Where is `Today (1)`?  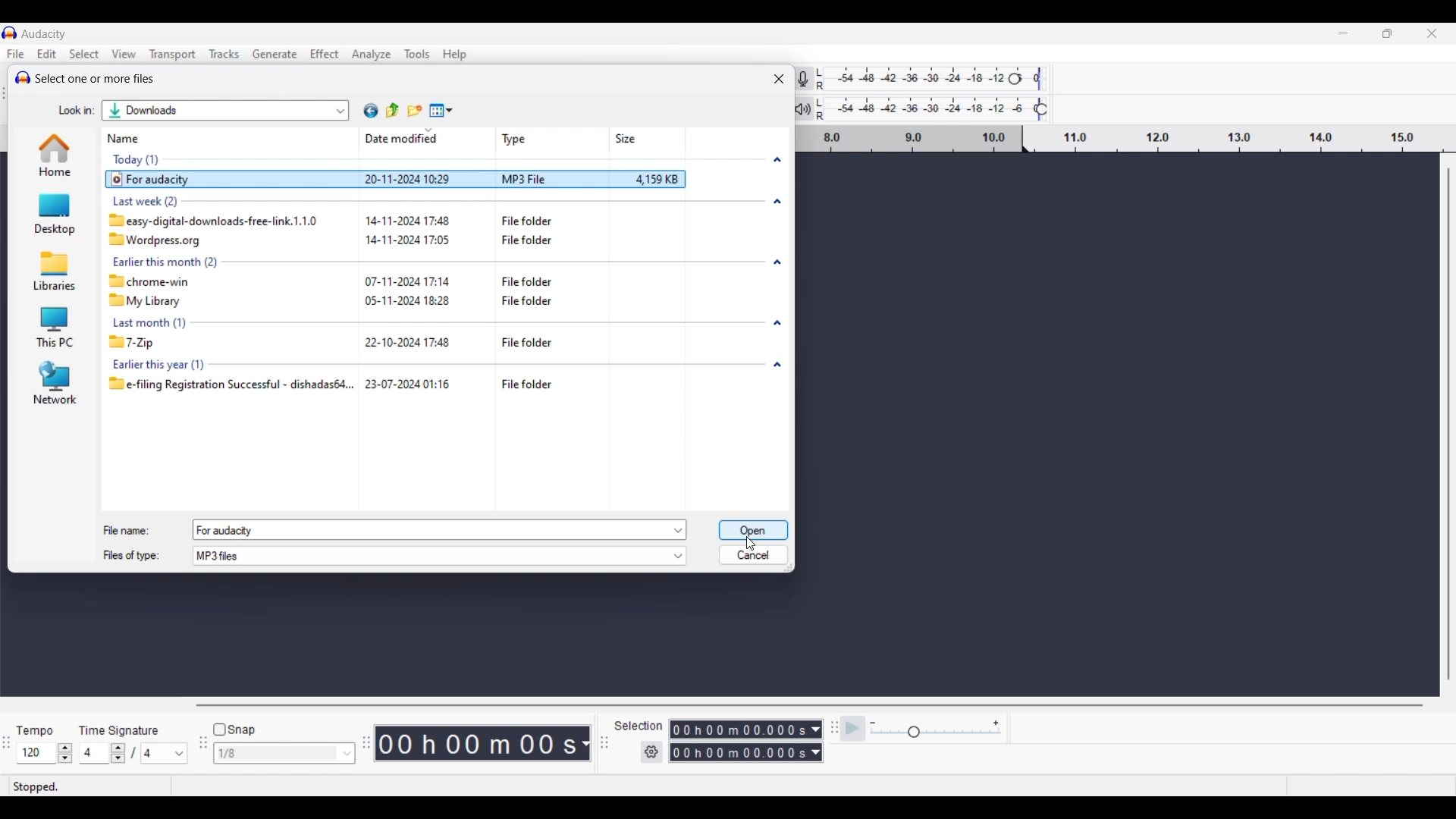
Today (1) is located at coordinates (145, 159).